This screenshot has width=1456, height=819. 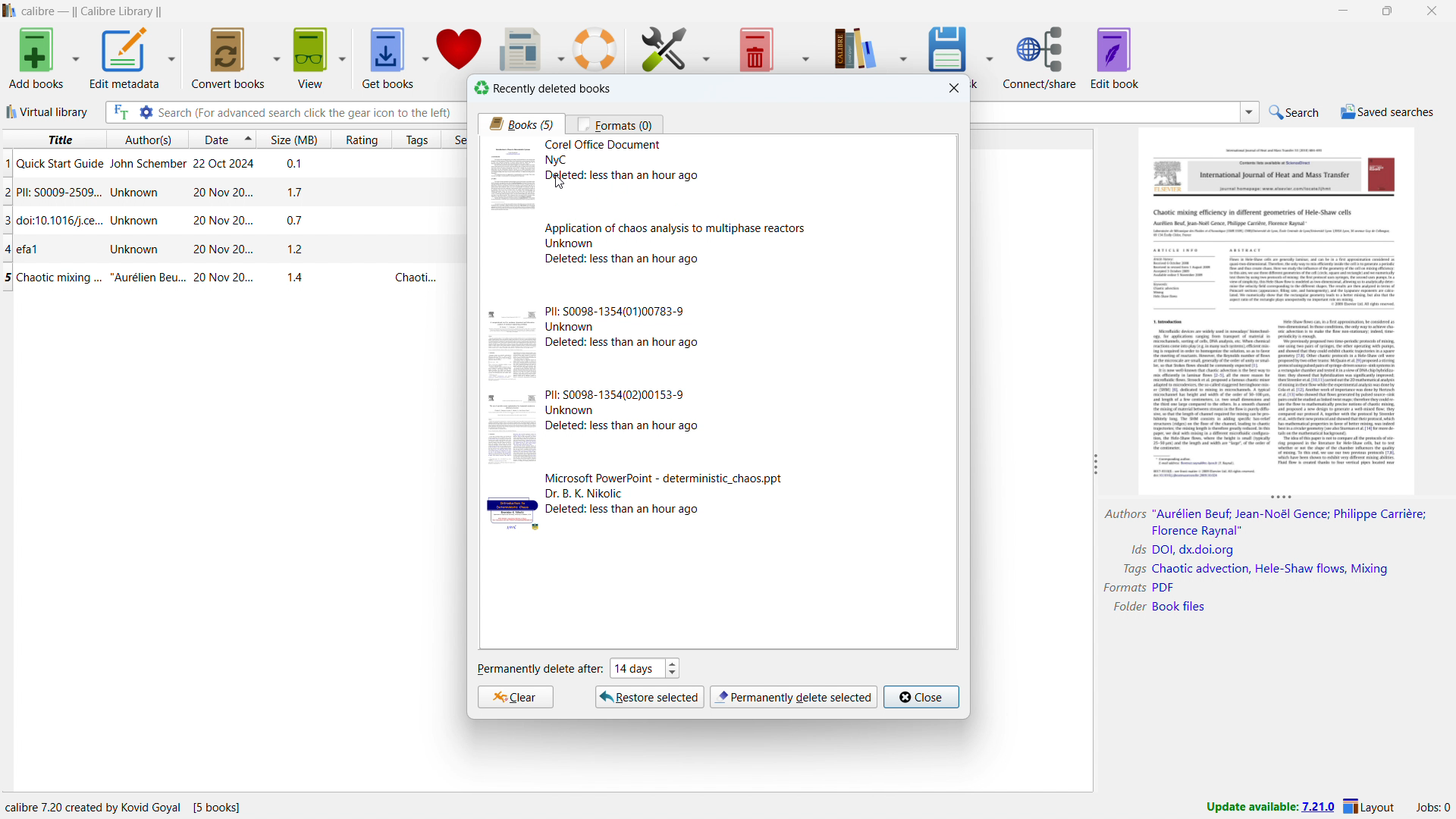 What do you see at coordinates (342, 57) in the screenshot?
I see `view options` at bounding box center [342, 57].